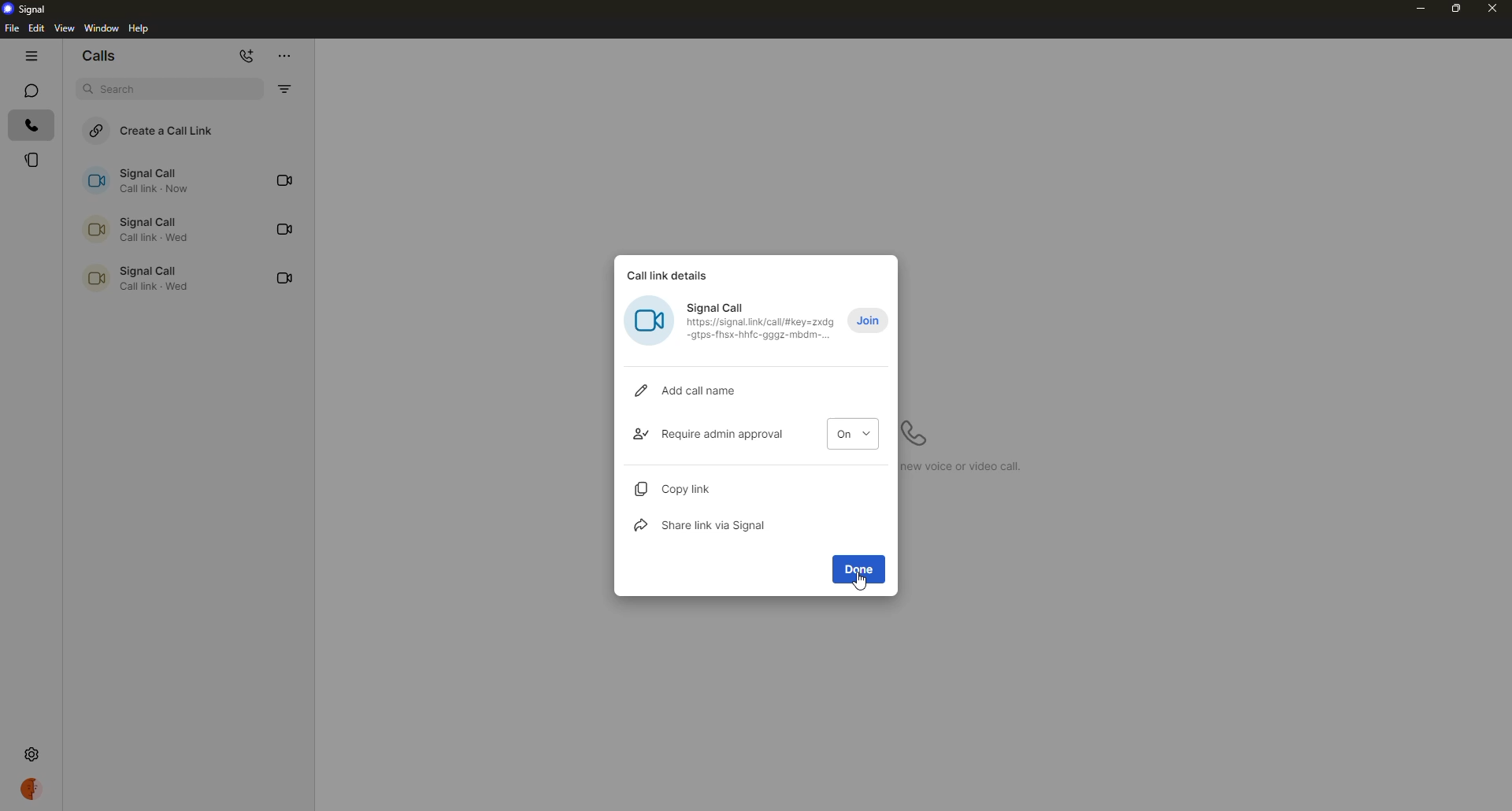  I want to click on calls, so click(31, 124).